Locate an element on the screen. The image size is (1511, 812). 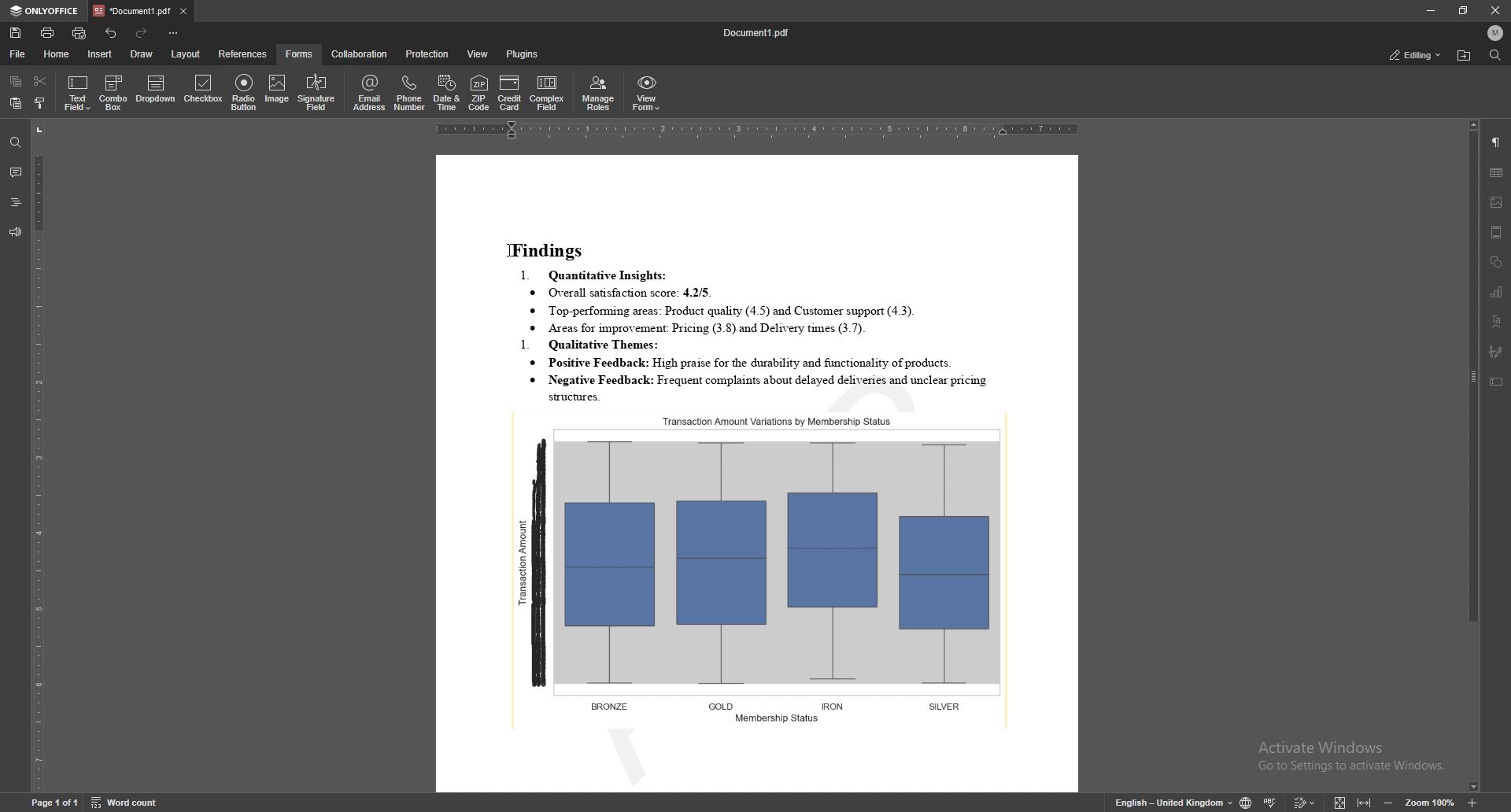
email address is located at coordinates (370, 92).